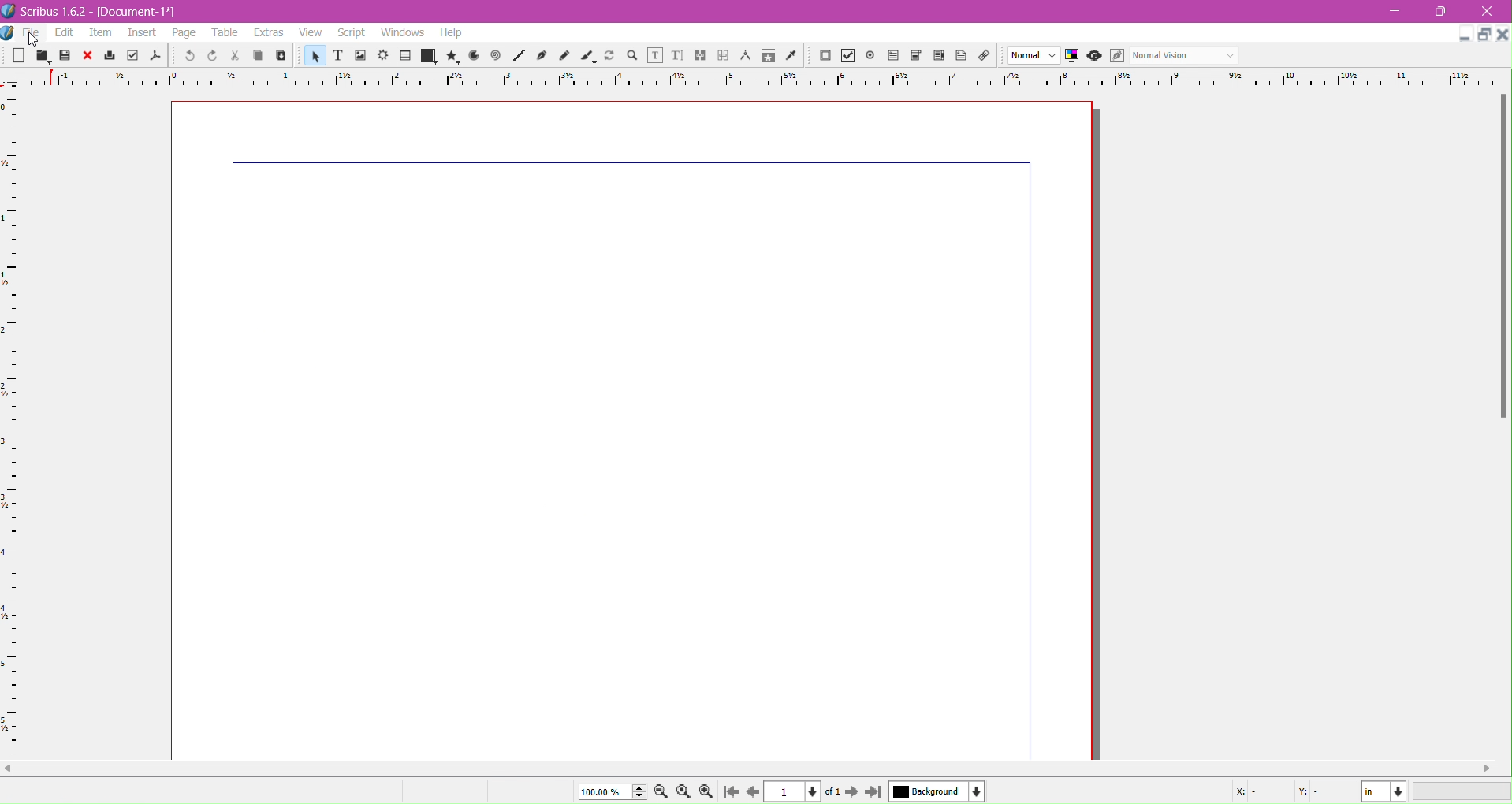  I want to click on copy item properties, so click(768, 58).